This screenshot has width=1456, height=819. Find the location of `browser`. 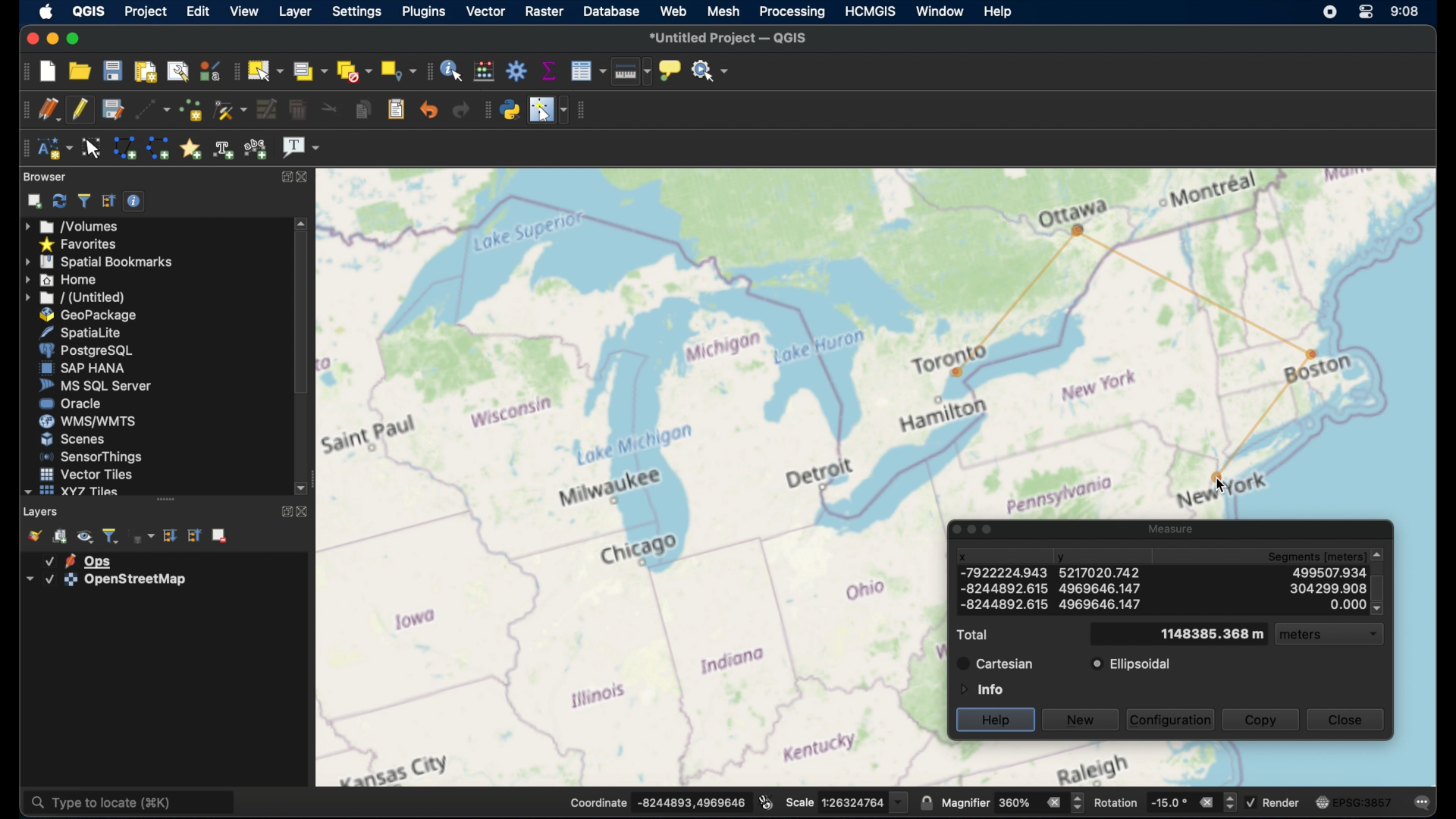

browser is located at coordinates (46, 177).